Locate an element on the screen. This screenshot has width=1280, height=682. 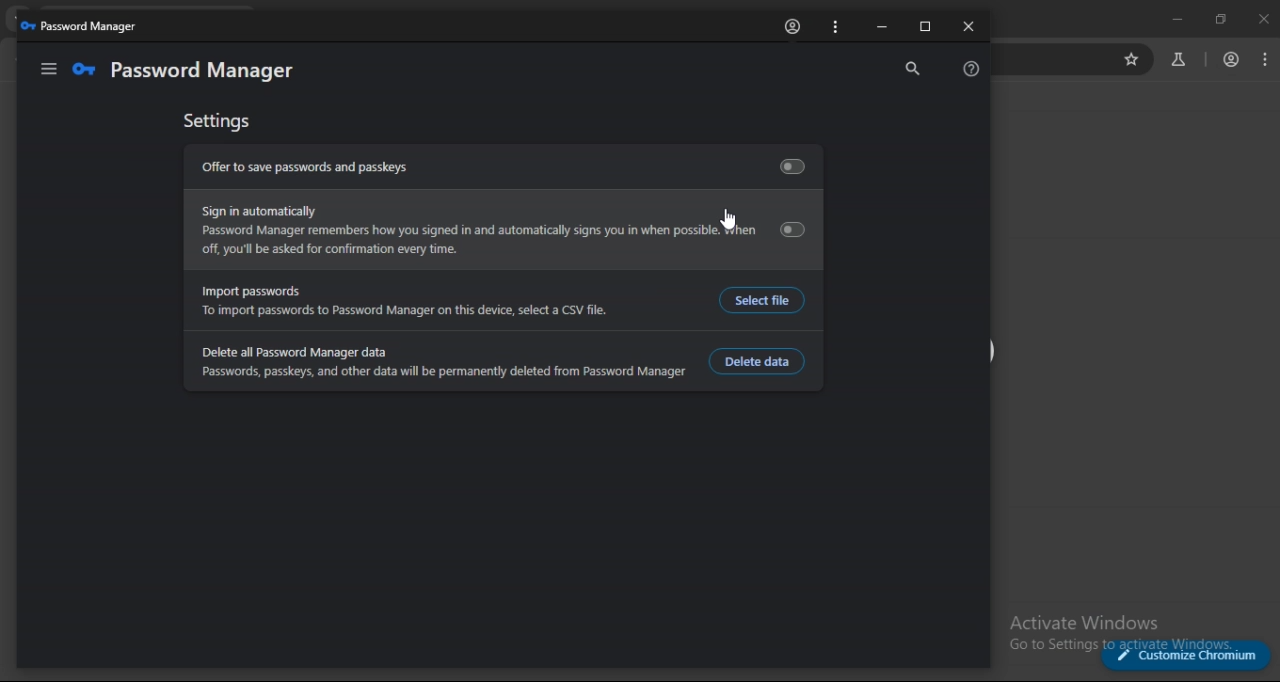
account is located at coordinates (794, 26).